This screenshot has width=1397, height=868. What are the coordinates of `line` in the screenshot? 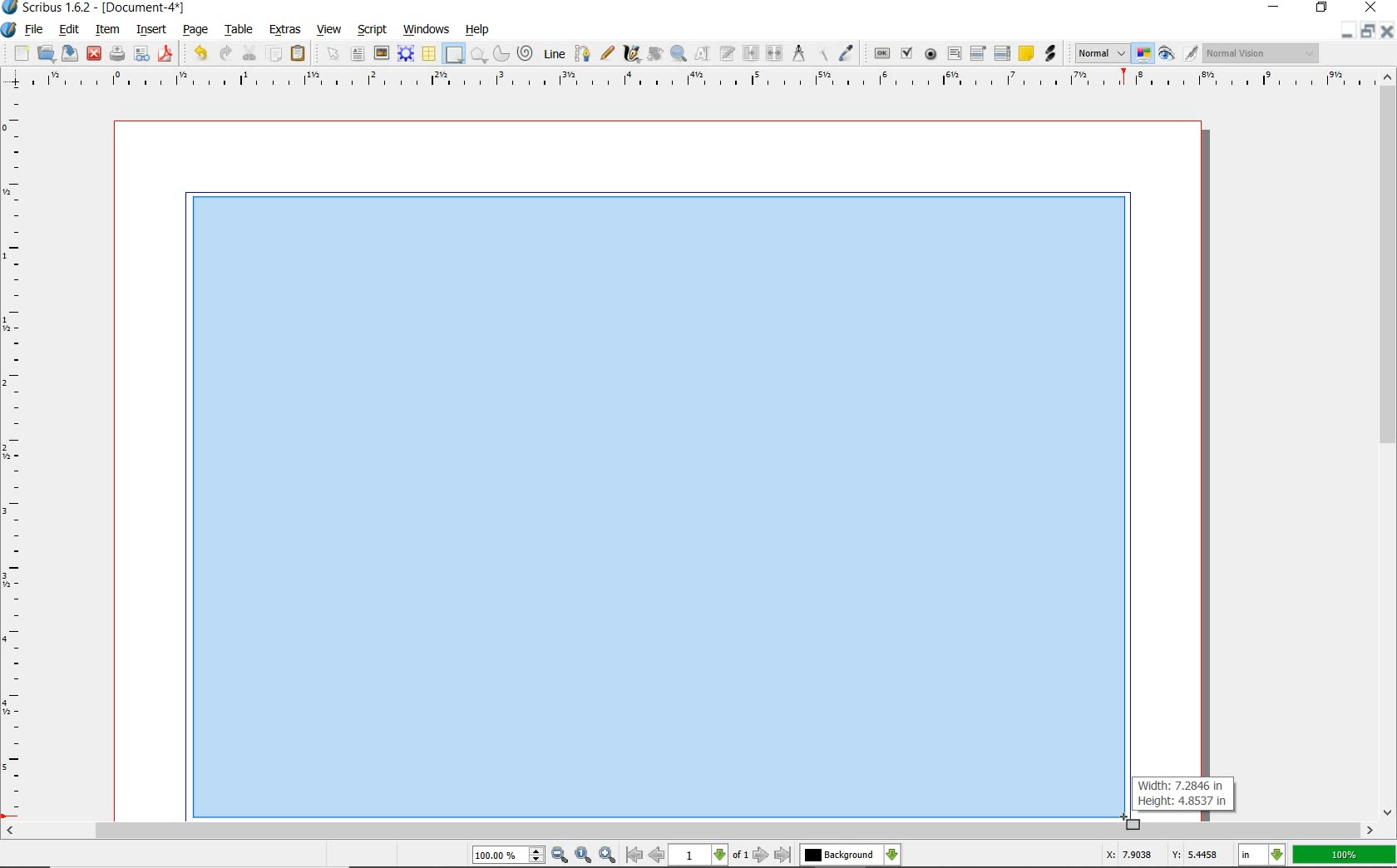 It's located at (554, 54).